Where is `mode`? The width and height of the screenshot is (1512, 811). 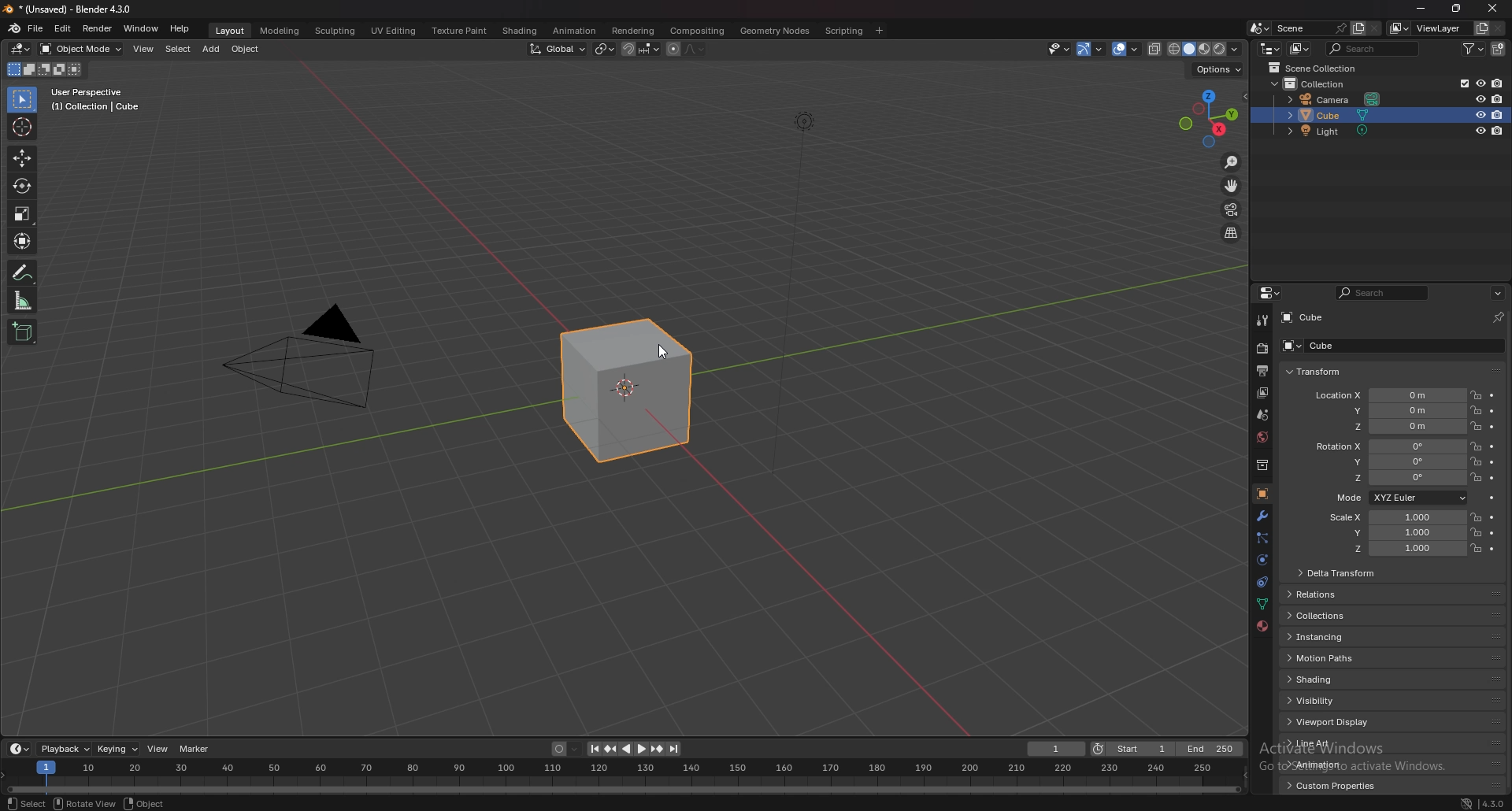 mode is located at coordinates (44, 69).